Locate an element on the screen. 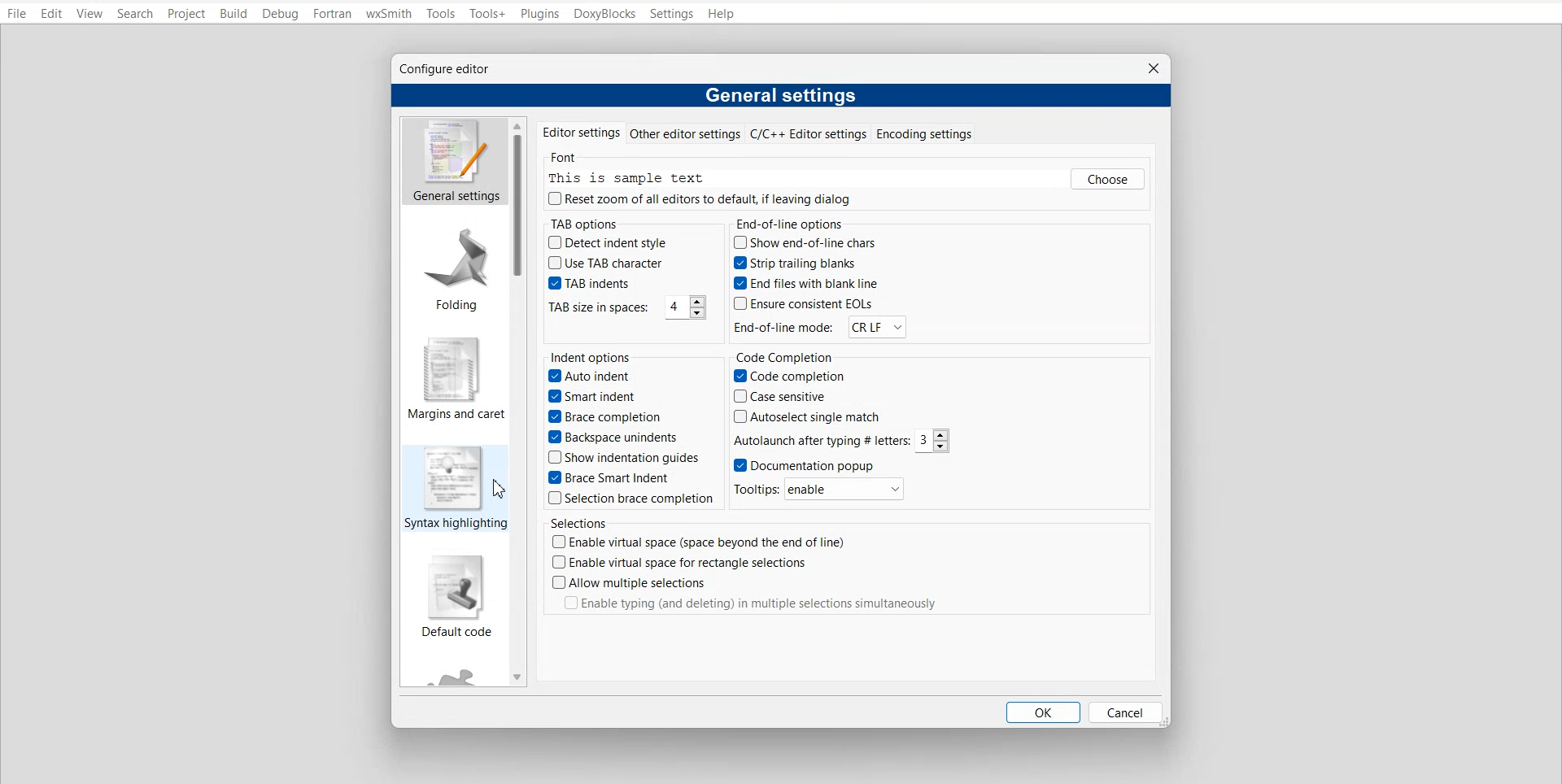  Code Completion is located at coordinates (783, 356).